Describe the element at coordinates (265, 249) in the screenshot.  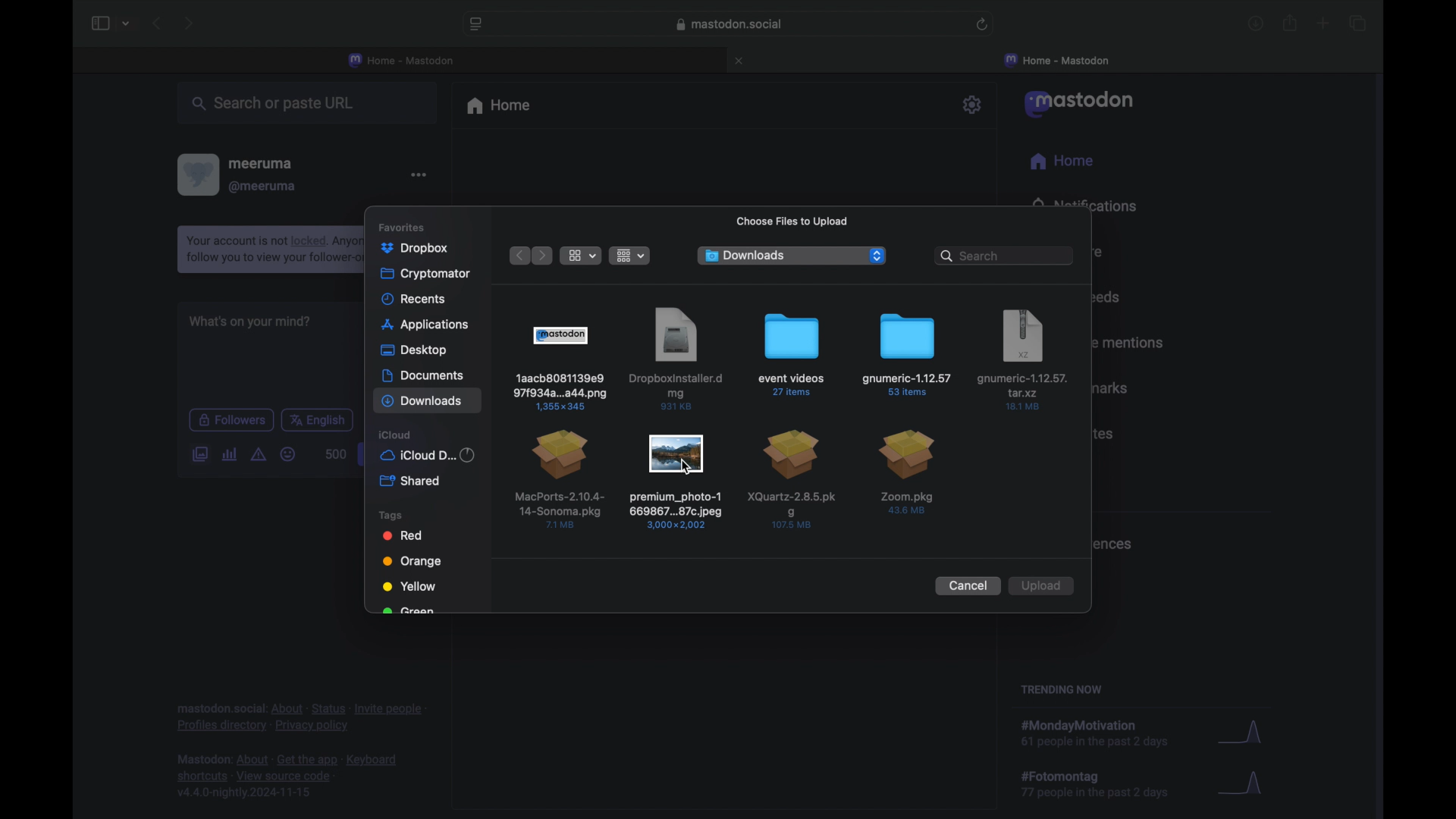
I see `notification` at that location.